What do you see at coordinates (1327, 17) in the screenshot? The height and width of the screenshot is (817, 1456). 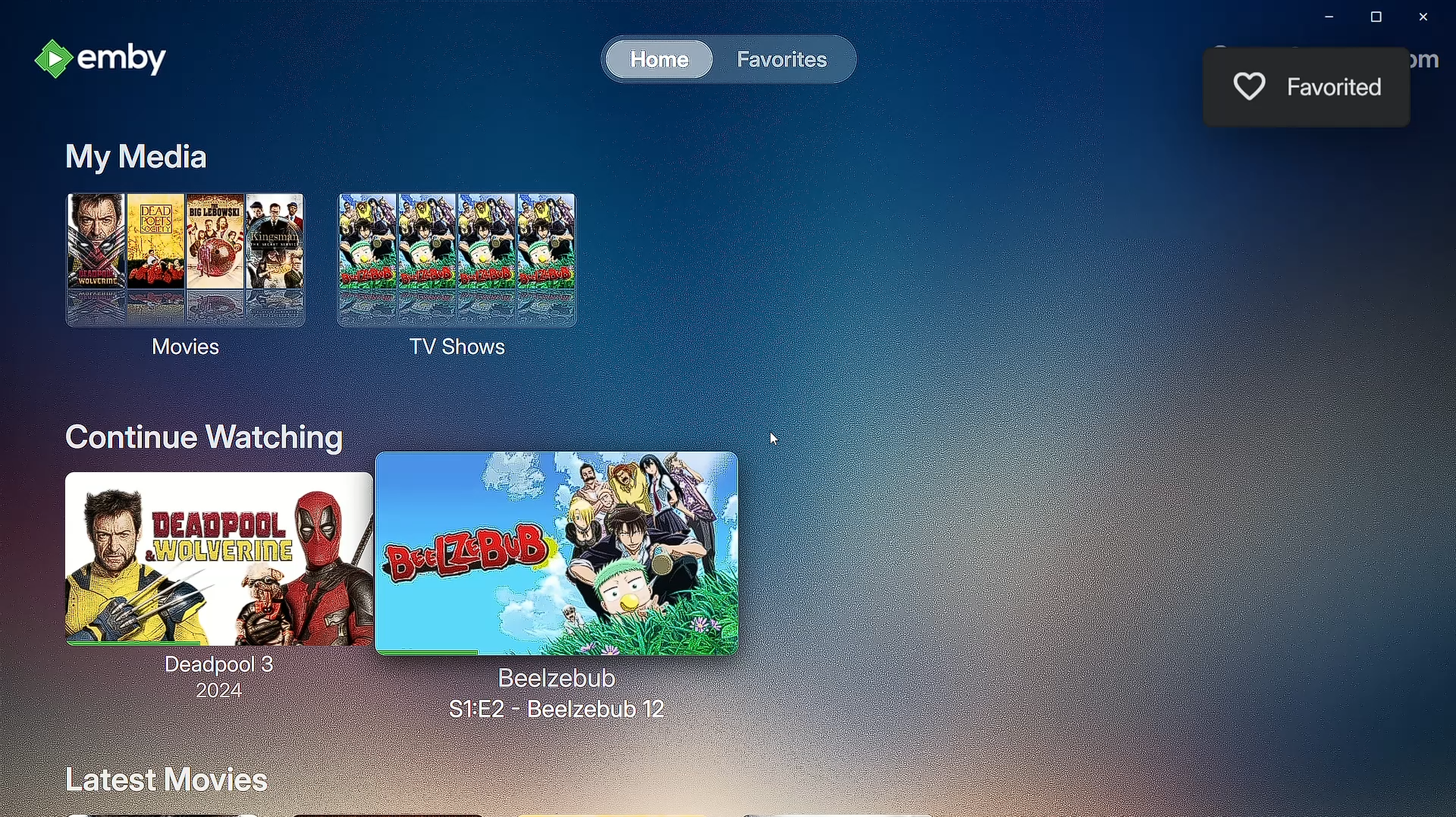 I see `Minimize` at bounding box center [1327, 17].